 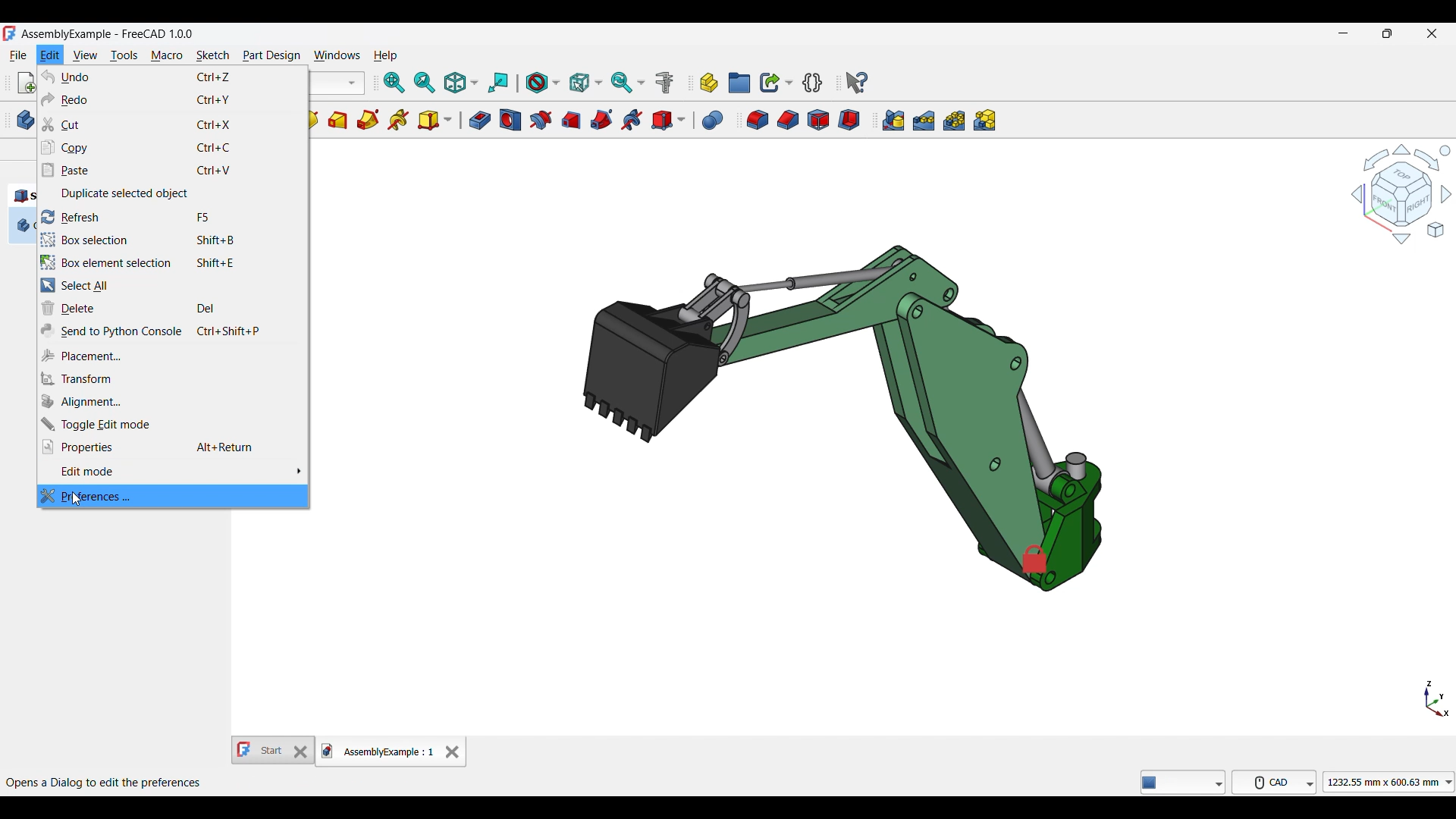 I want to click on Edit mode options, so click(x=173, y=472).